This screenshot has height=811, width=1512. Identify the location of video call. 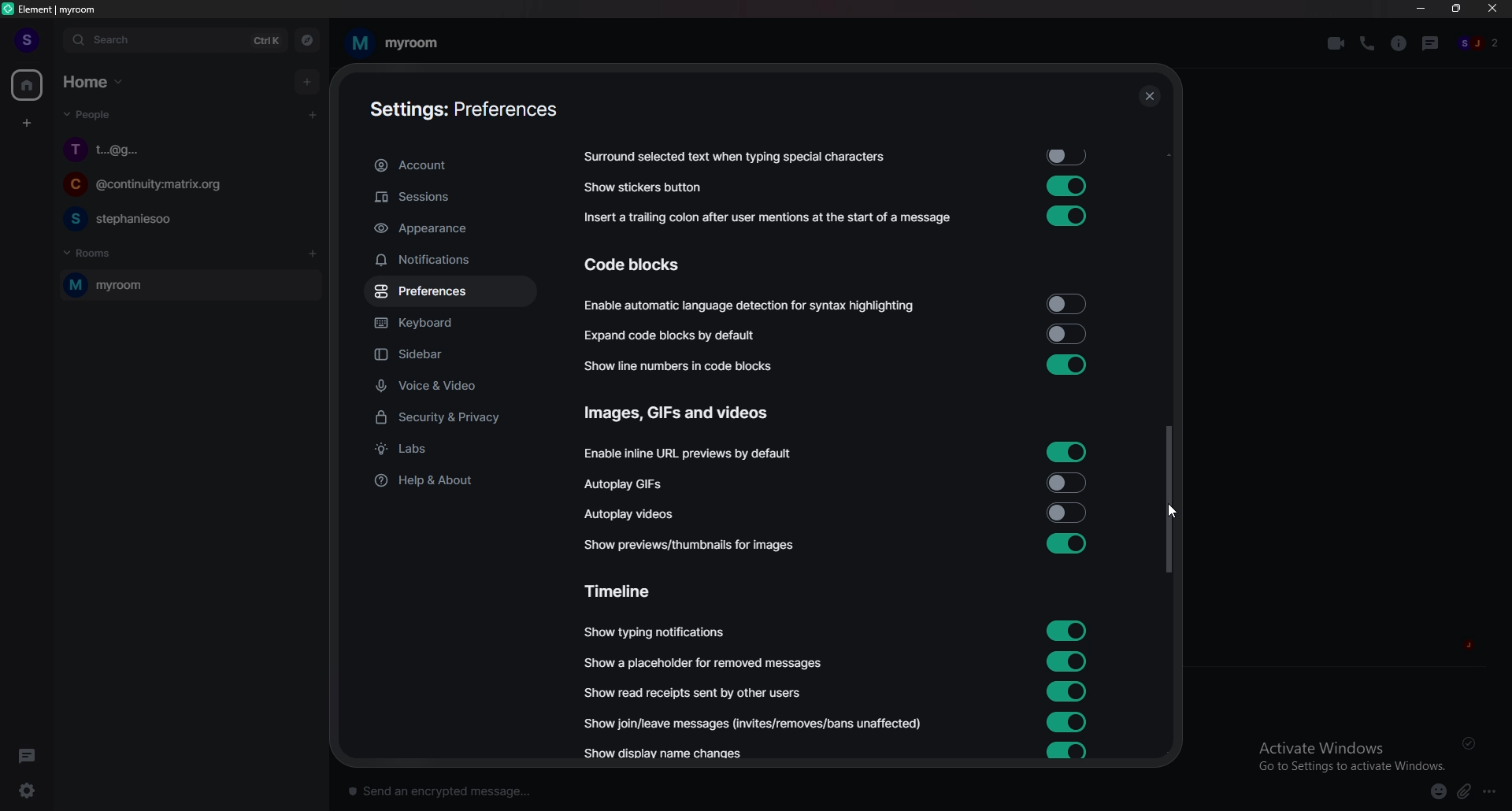
(1336, 43).